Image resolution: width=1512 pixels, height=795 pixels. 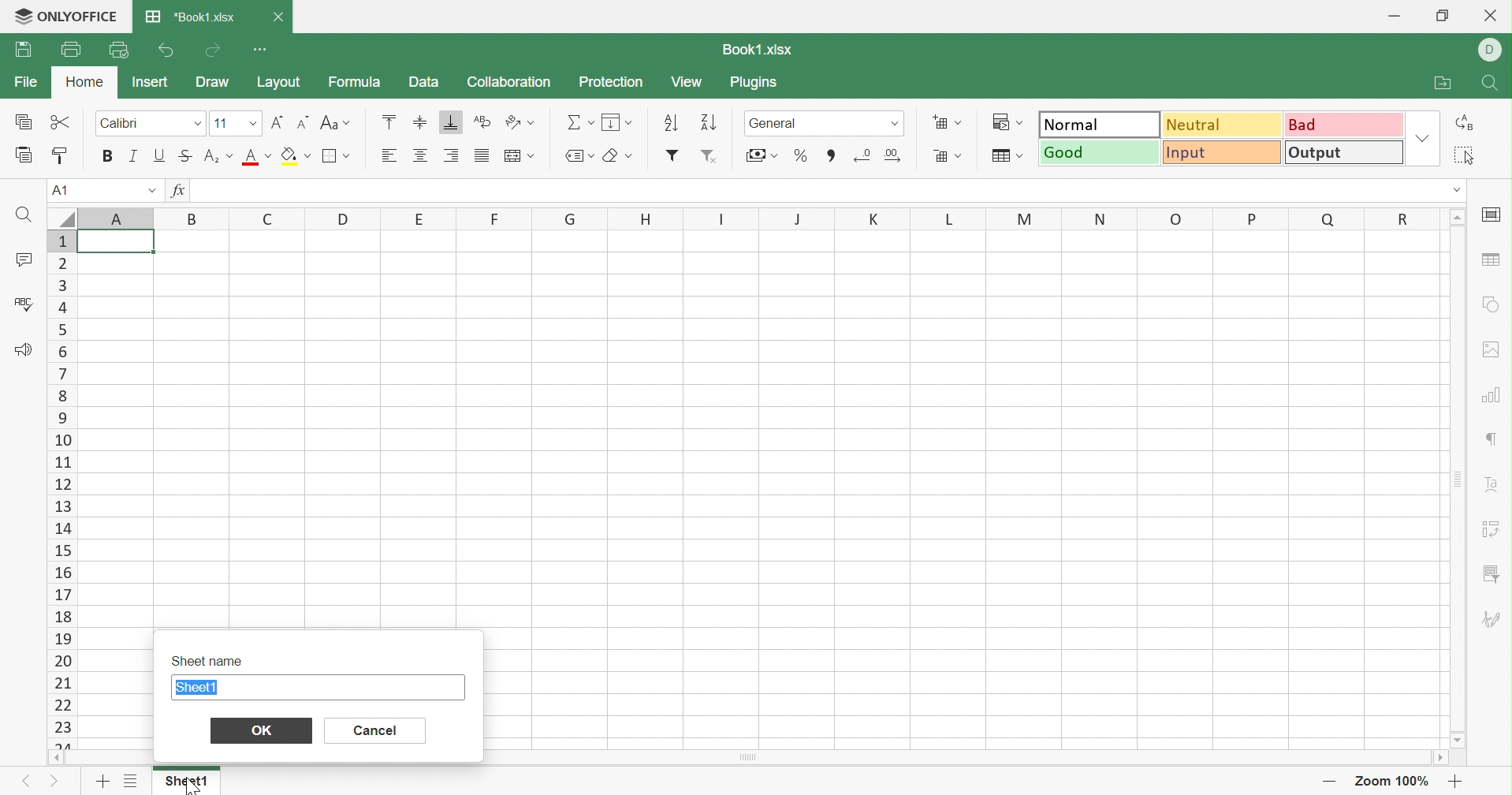 What do you see at coordinates (61, 215) in the screenshot?
I see `Select all rows and colums` at bounding box center [61, 215].